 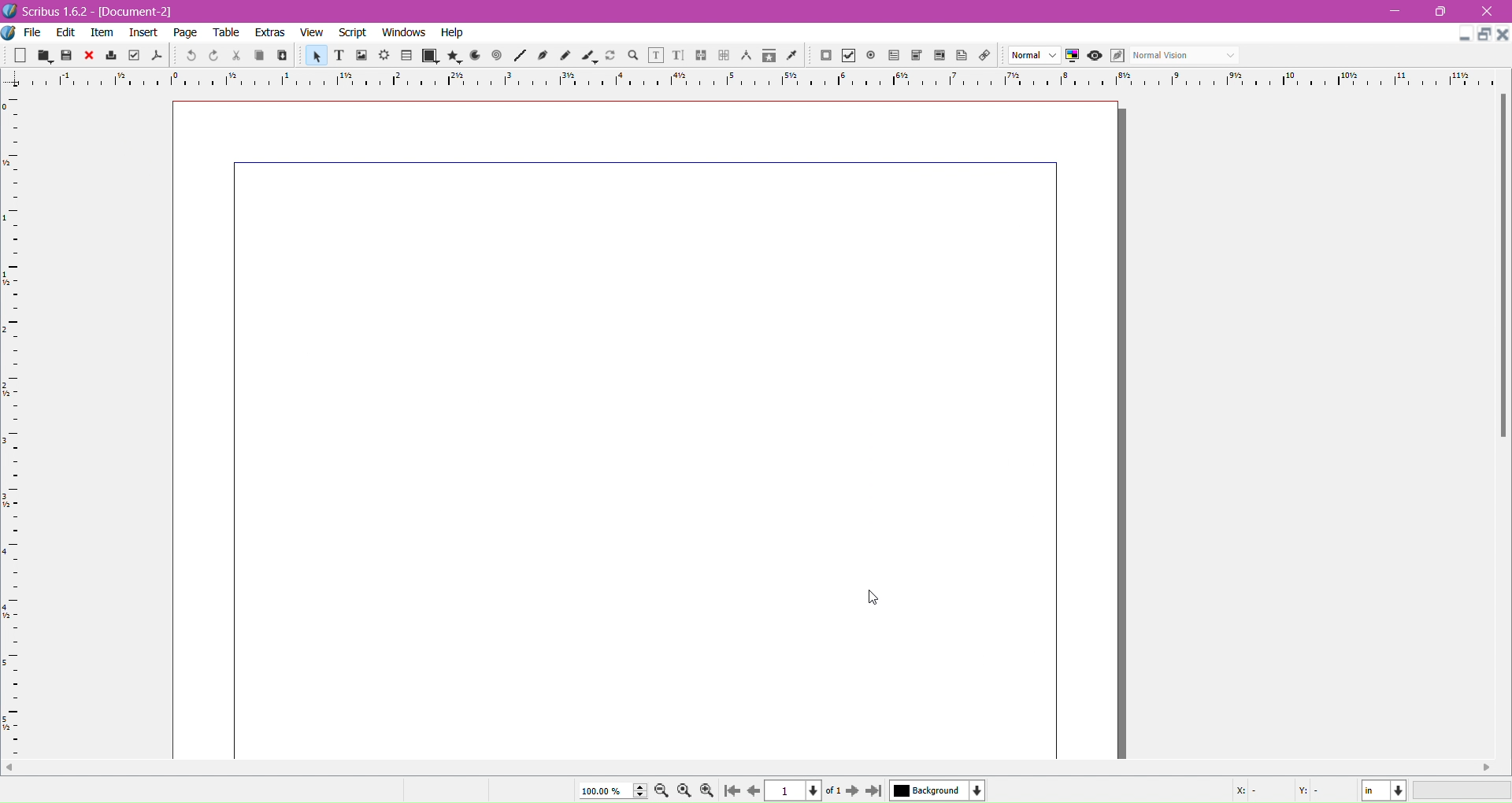 I want to click on copy, so click(x=261, y=57).